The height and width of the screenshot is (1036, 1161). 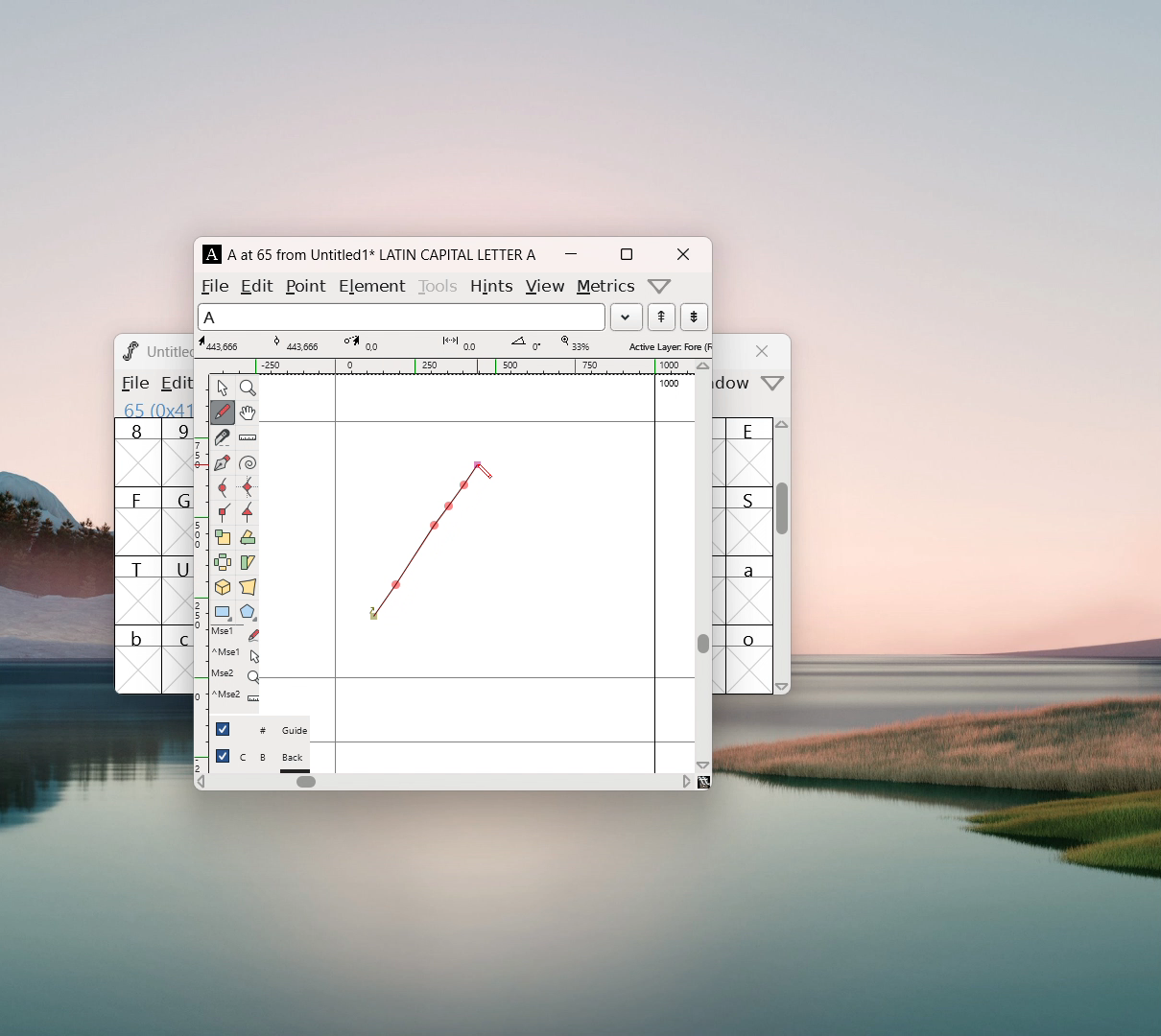 I want to click on tangent, so click(x=293, y=343).